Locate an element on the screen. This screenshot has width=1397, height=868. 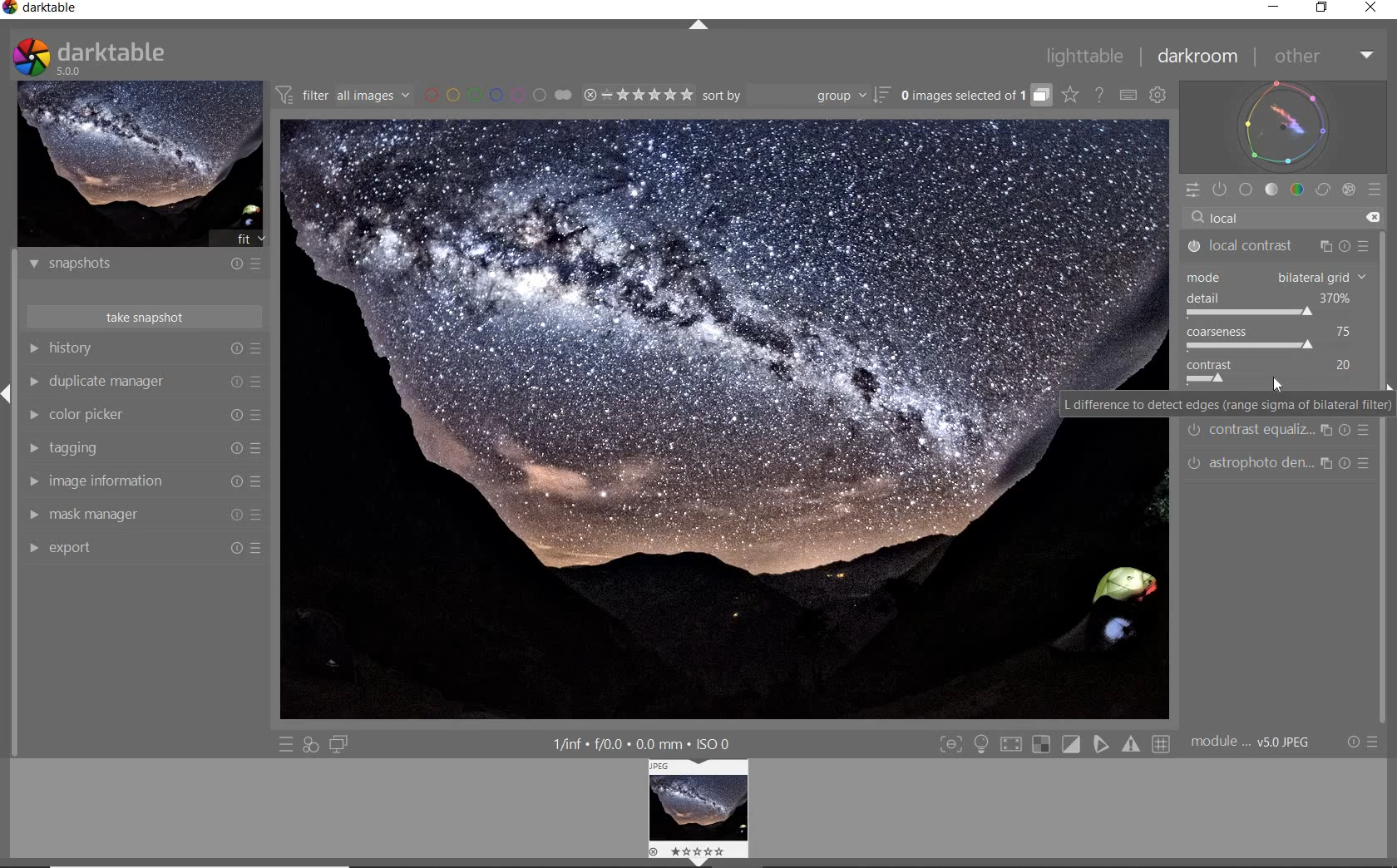
Reset is located at coordinates (259, 547).